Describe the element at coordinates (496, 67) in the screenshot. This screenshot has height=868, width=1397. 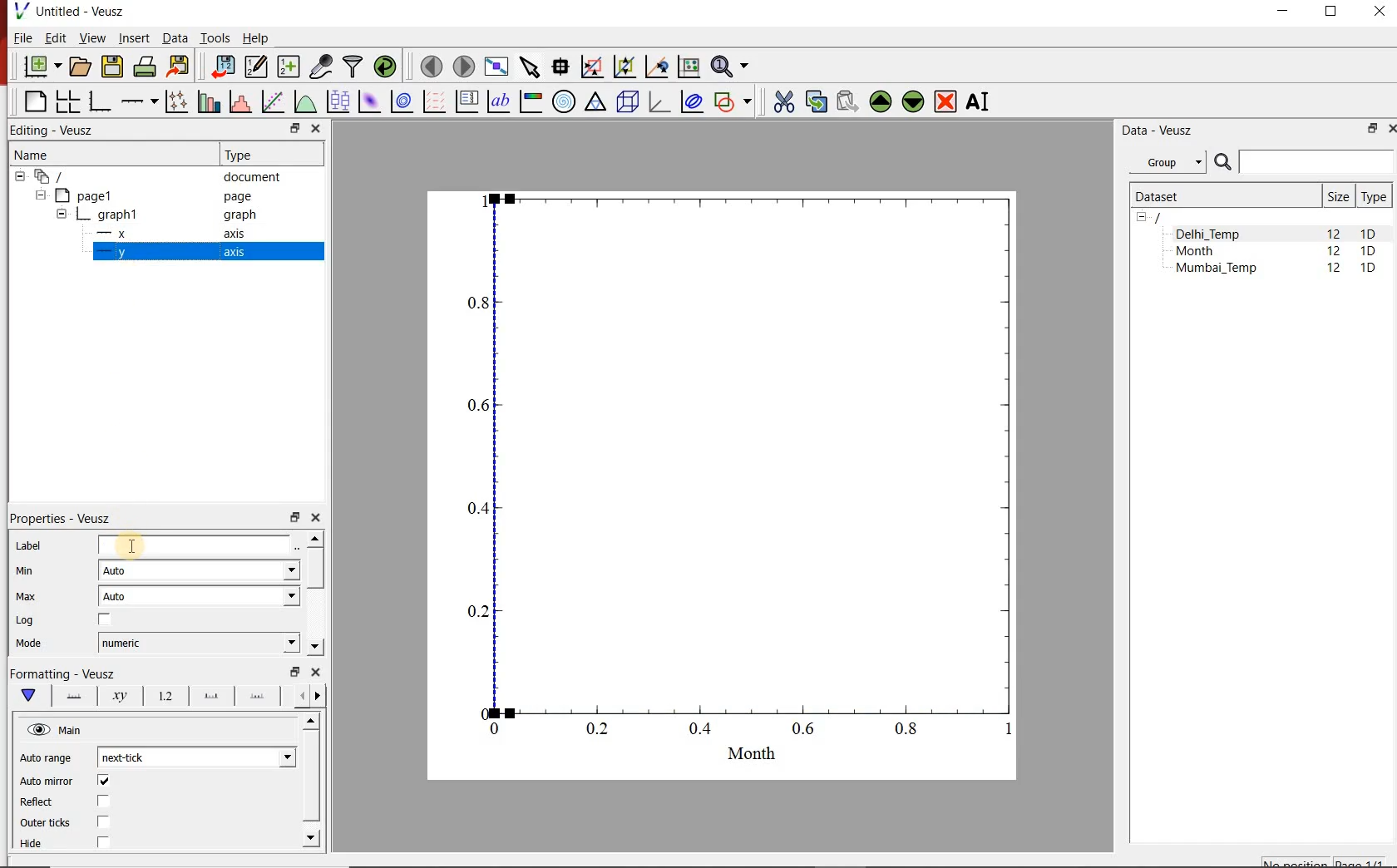
I see `view plot full screen` at that location.